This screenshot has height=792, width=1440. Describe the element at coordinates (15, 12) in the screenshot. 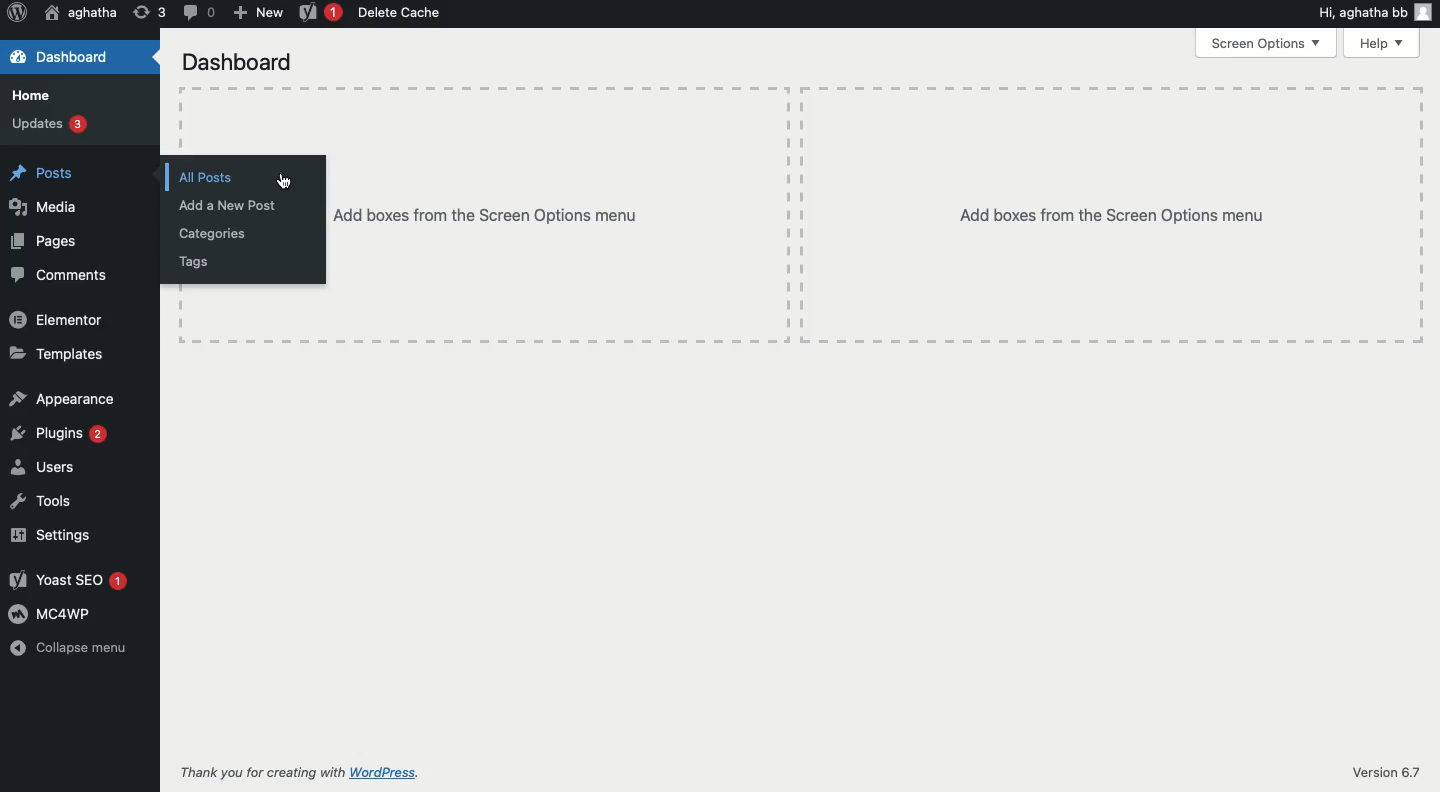

I see `Wordpress logo` at that location.